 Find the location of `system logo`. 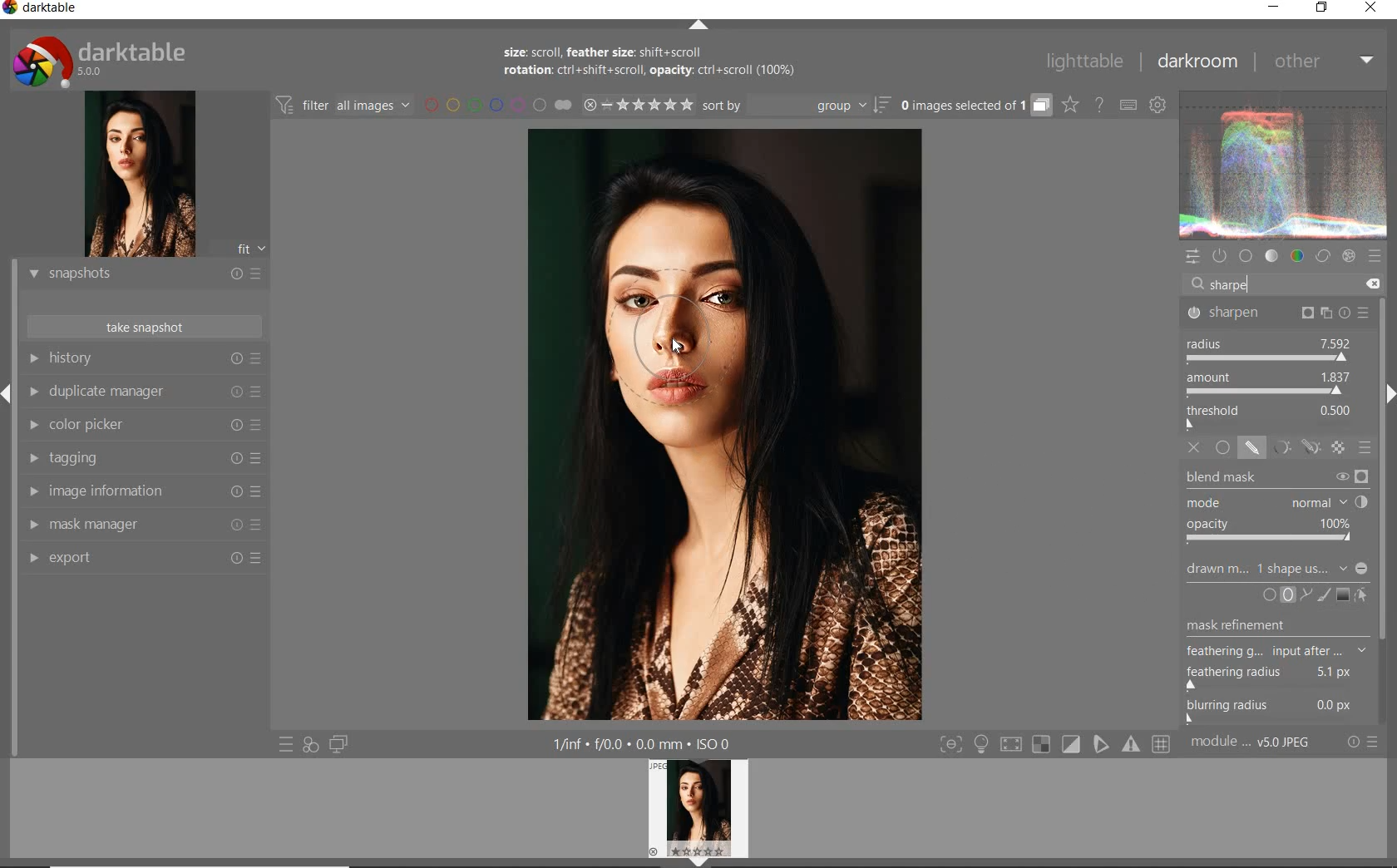

system logo is located at coordinates (102, 61).